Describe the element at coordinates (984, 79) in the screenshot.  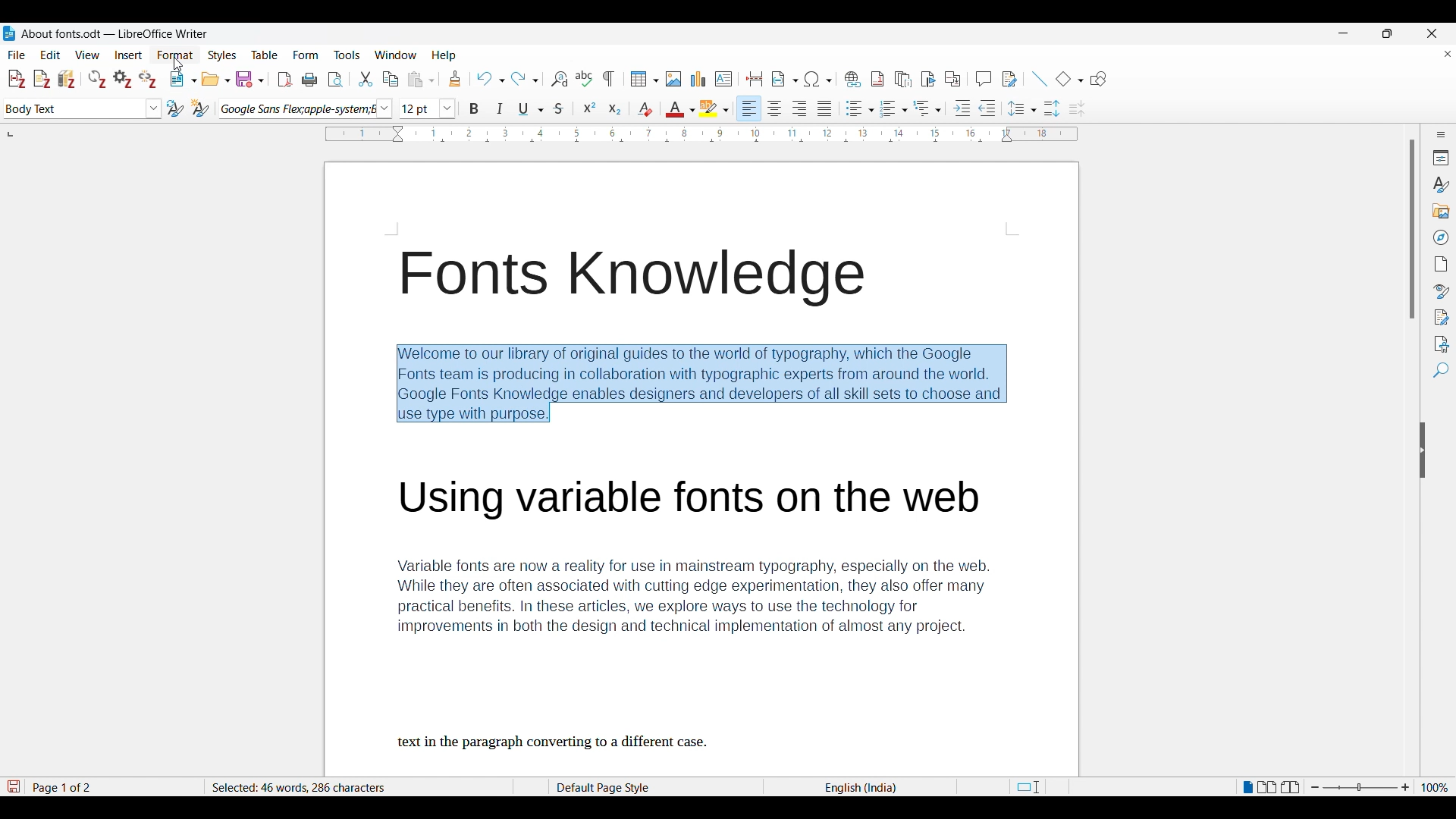
I see `Insert comment` at that location.